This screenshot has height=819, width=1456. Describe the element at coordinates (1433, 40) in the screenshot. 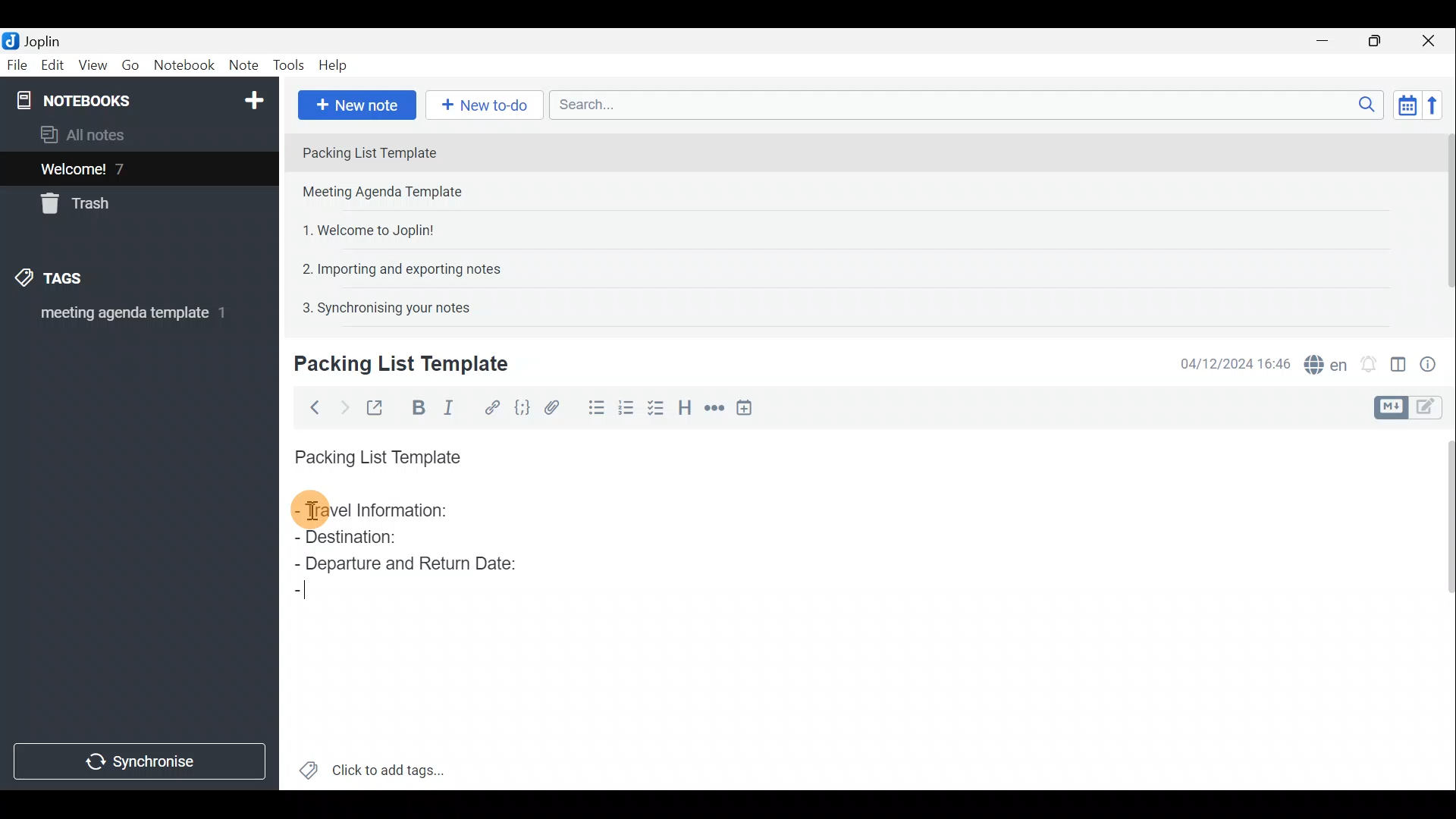

I see `Close` at that location.